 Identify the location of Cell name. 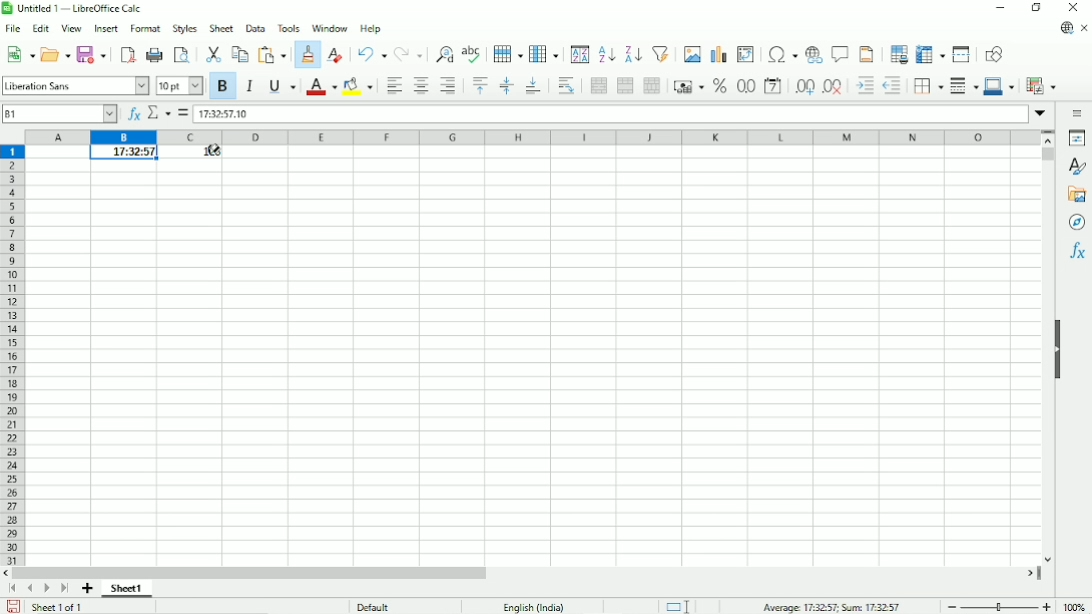
(59, 113).